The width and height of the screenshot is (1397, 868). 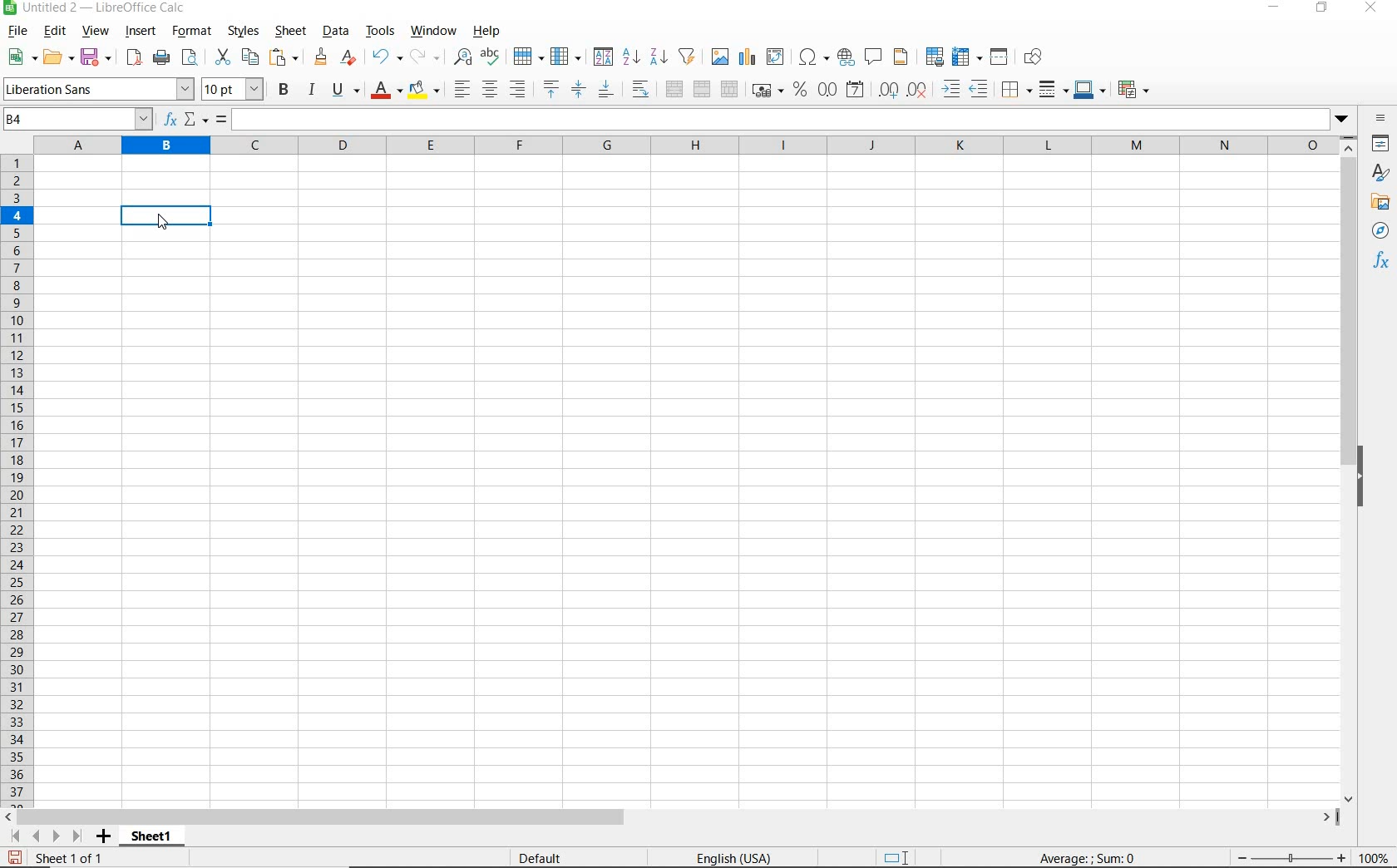 I want to click on define print area, so click(x=935, y=56).